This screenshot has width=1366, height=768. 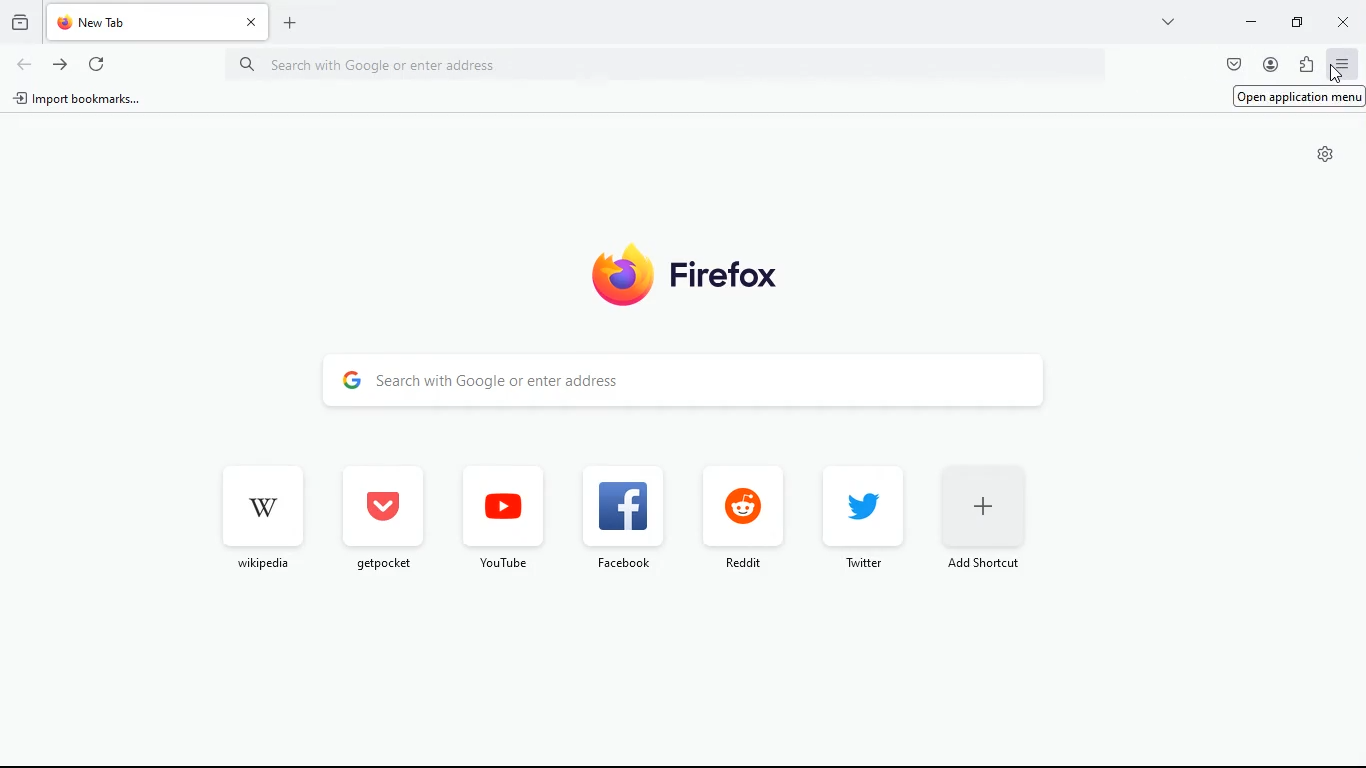 I want to click on get pocket, so click(x=382, y=526).